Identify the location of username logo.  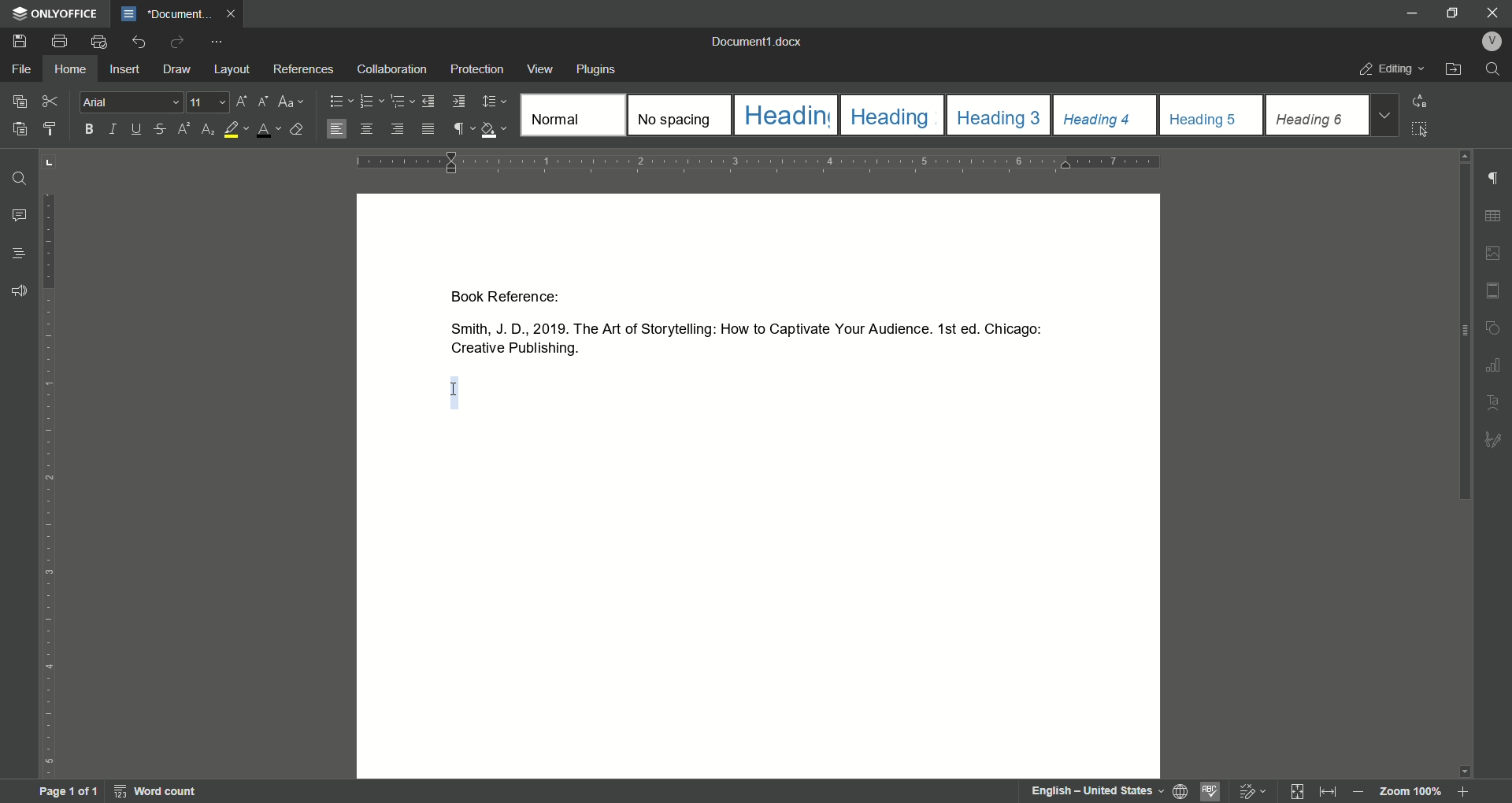
(1492, 41).